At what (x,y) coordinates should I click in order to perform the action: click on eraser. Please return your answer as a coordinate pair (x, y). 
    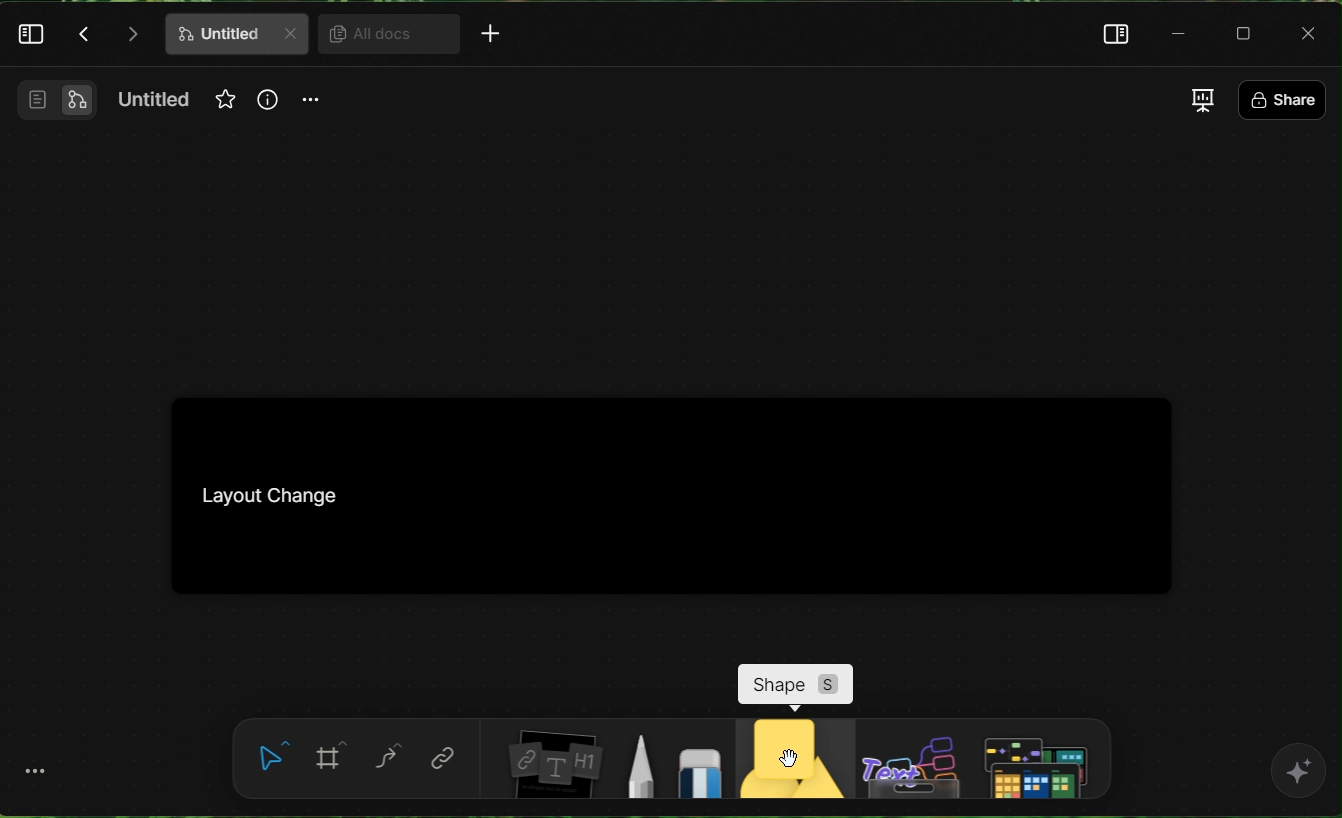
    Looking at the image, I should click on (699, 761).